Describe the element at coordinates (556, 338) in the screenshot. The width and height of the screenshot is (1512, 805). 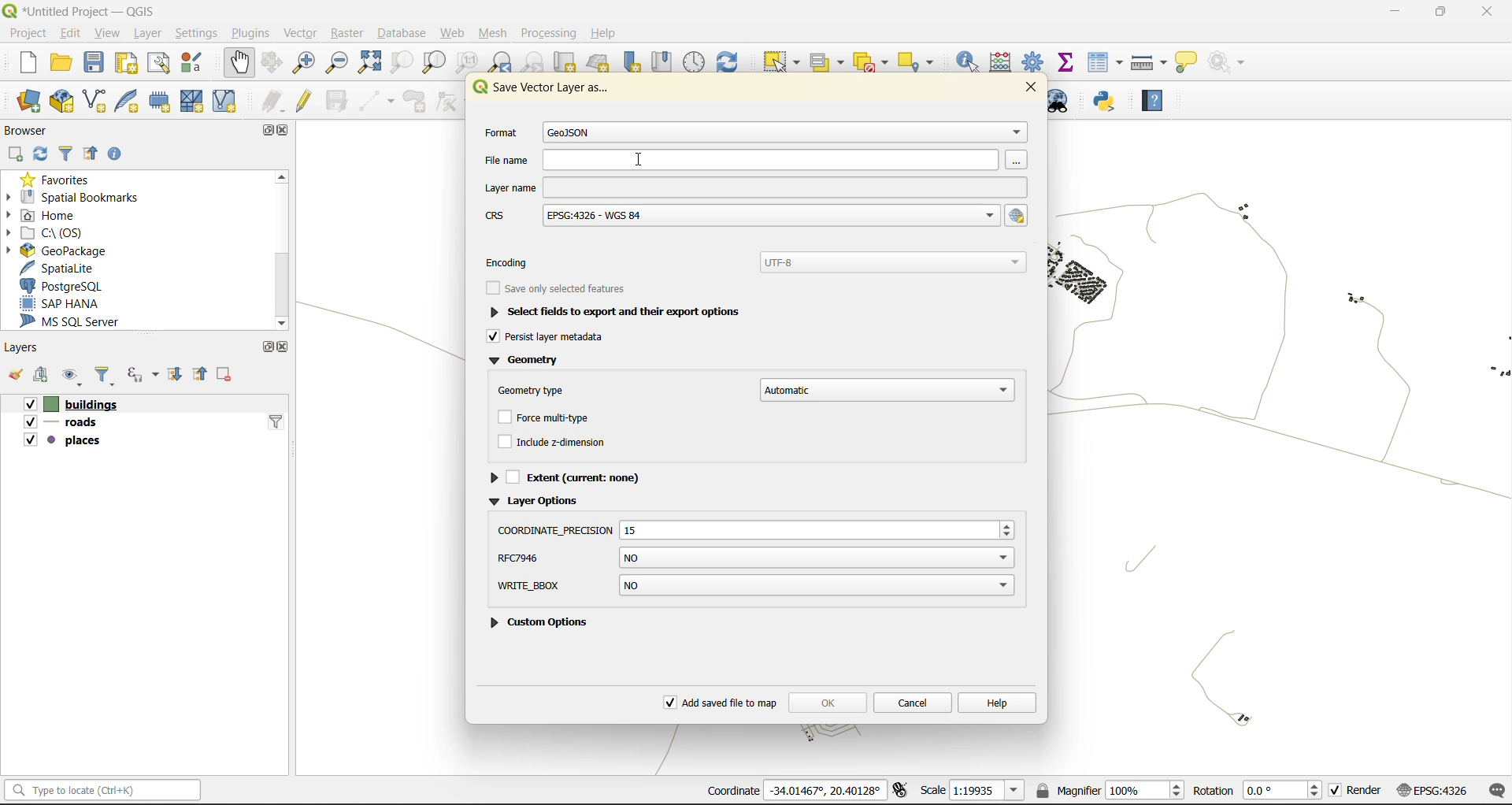
I see `persist layer metadata` at that location.